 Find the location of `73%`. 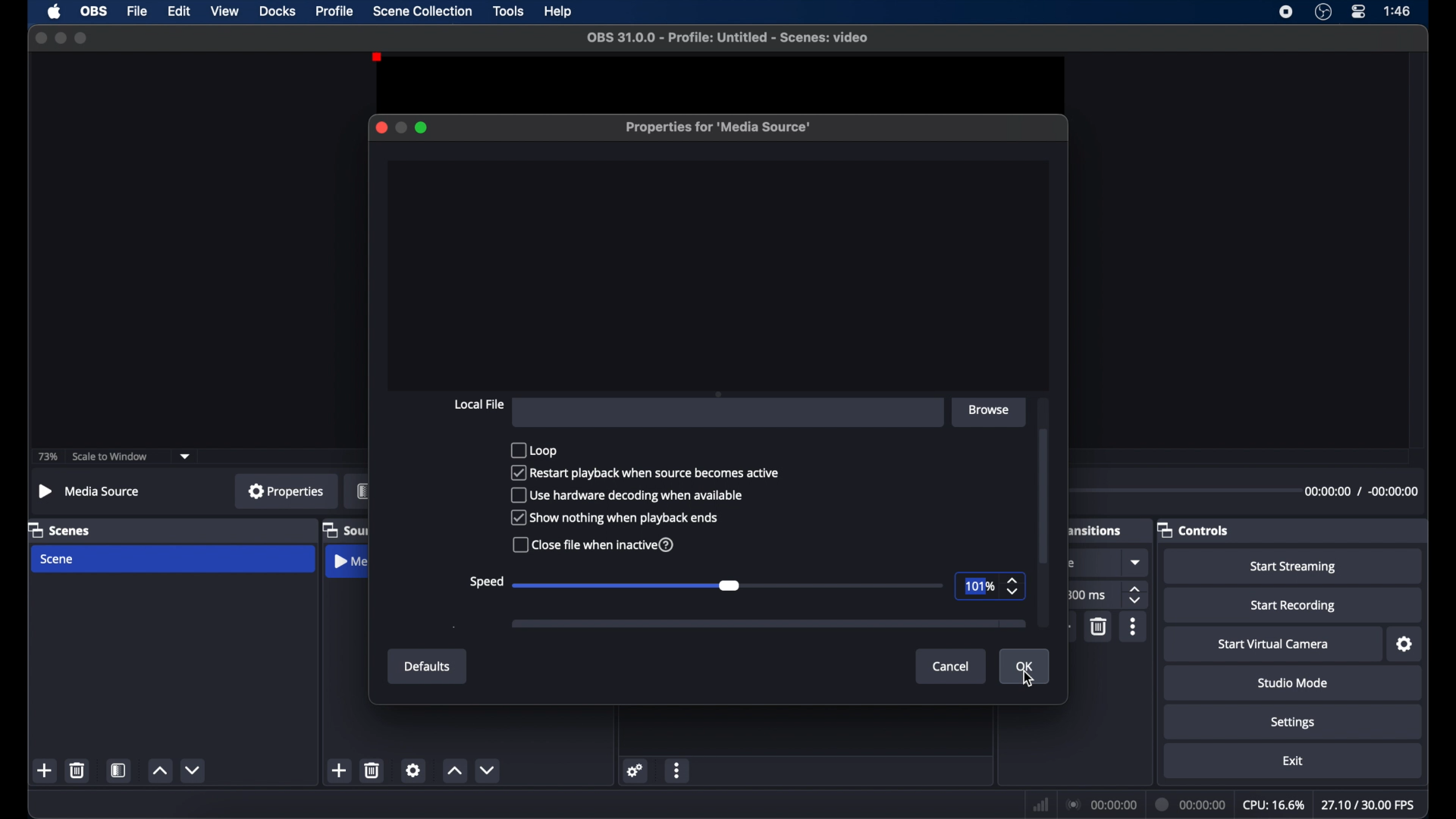

73% is located at coordinates (49, 457).